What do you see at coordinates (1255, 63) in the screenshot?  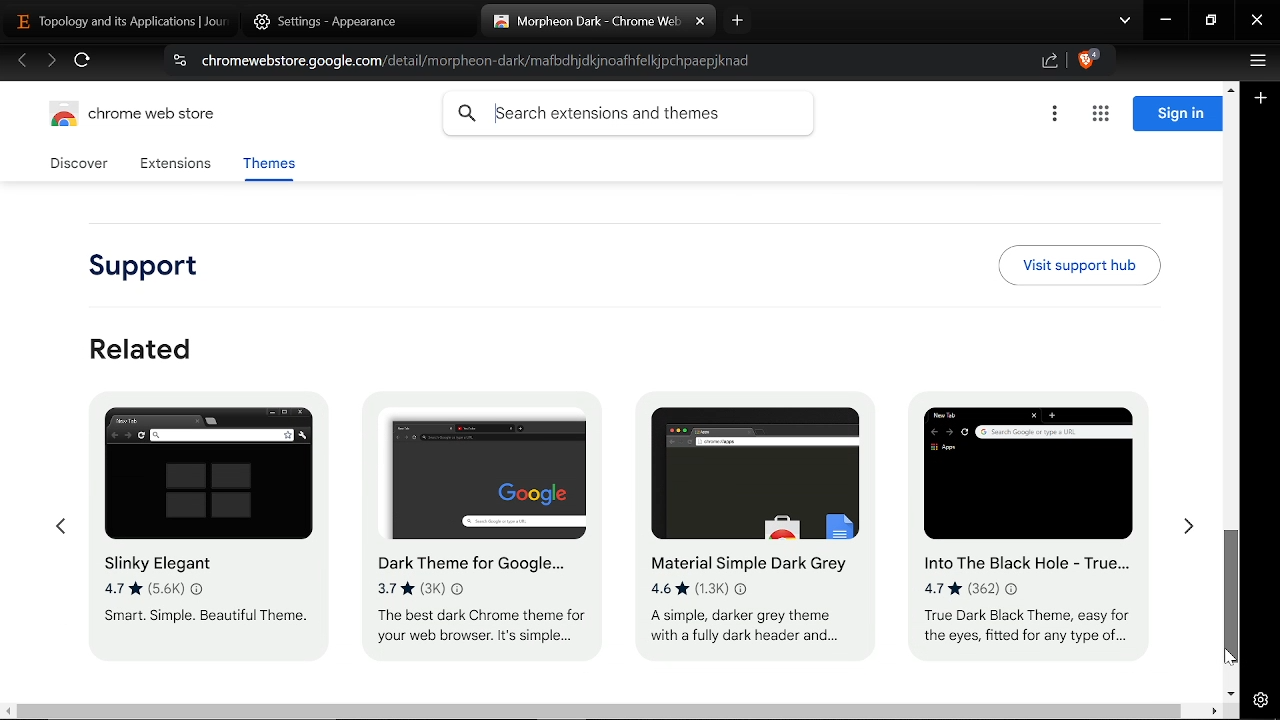 I see `Customize and control brave` at bounding box center [1255, 63].